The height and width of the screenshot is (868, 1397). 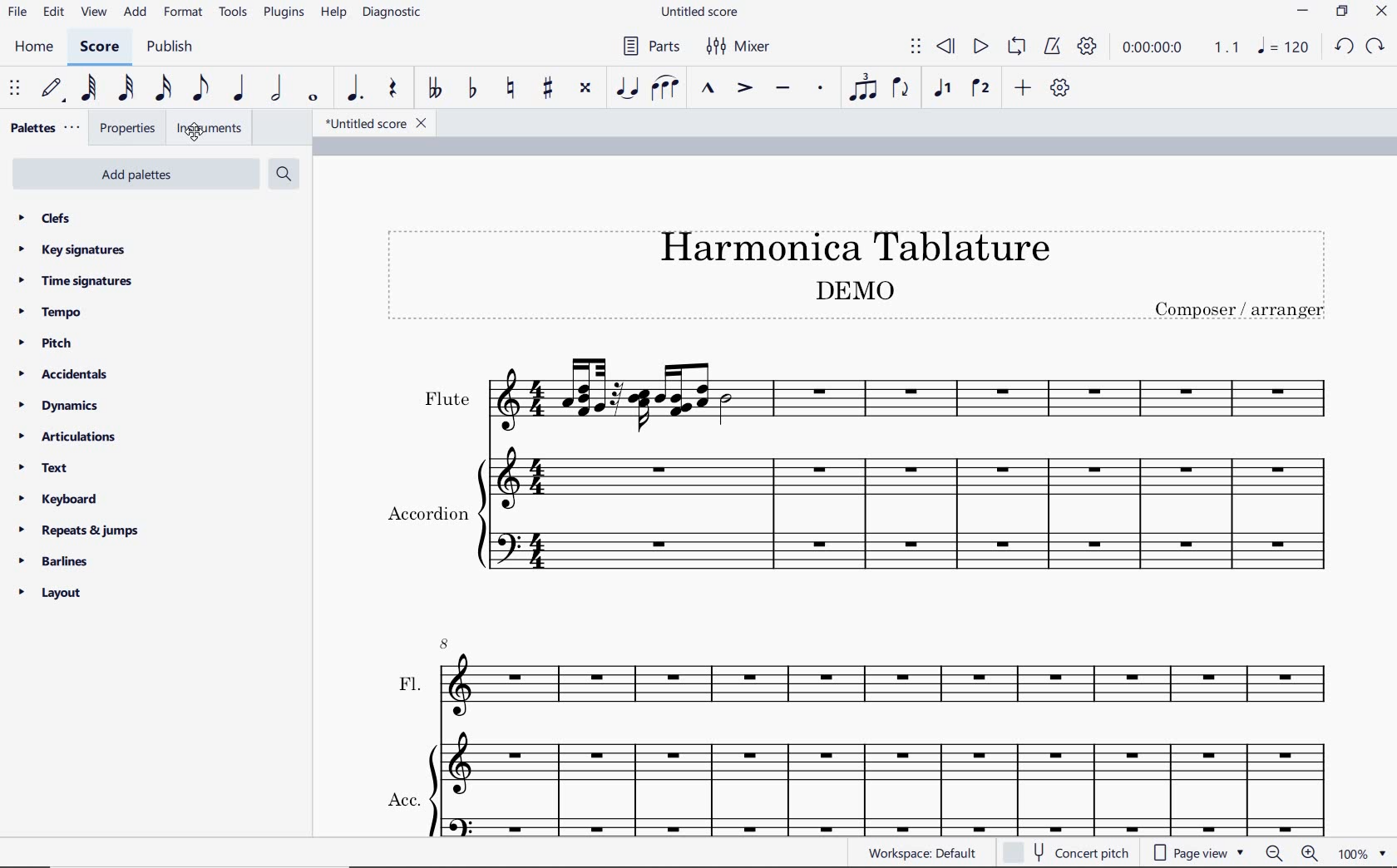 What do you see at coordinates (51, 312) in the screenshot?
I see `tempo` at bounding box center [51, 312].